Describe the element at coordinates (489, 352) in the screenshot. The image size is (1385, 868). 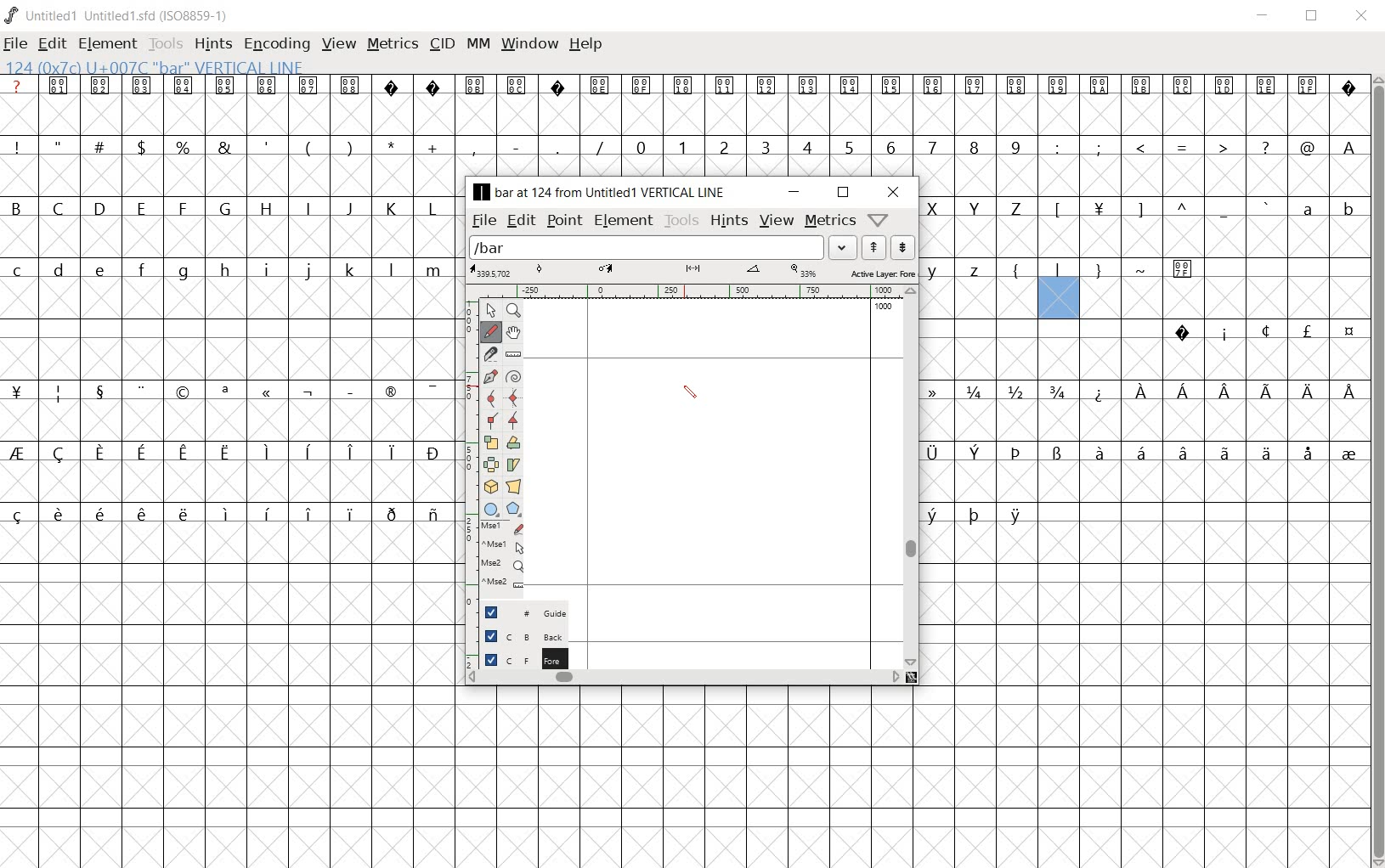
I see `cut splines in two` at that location.